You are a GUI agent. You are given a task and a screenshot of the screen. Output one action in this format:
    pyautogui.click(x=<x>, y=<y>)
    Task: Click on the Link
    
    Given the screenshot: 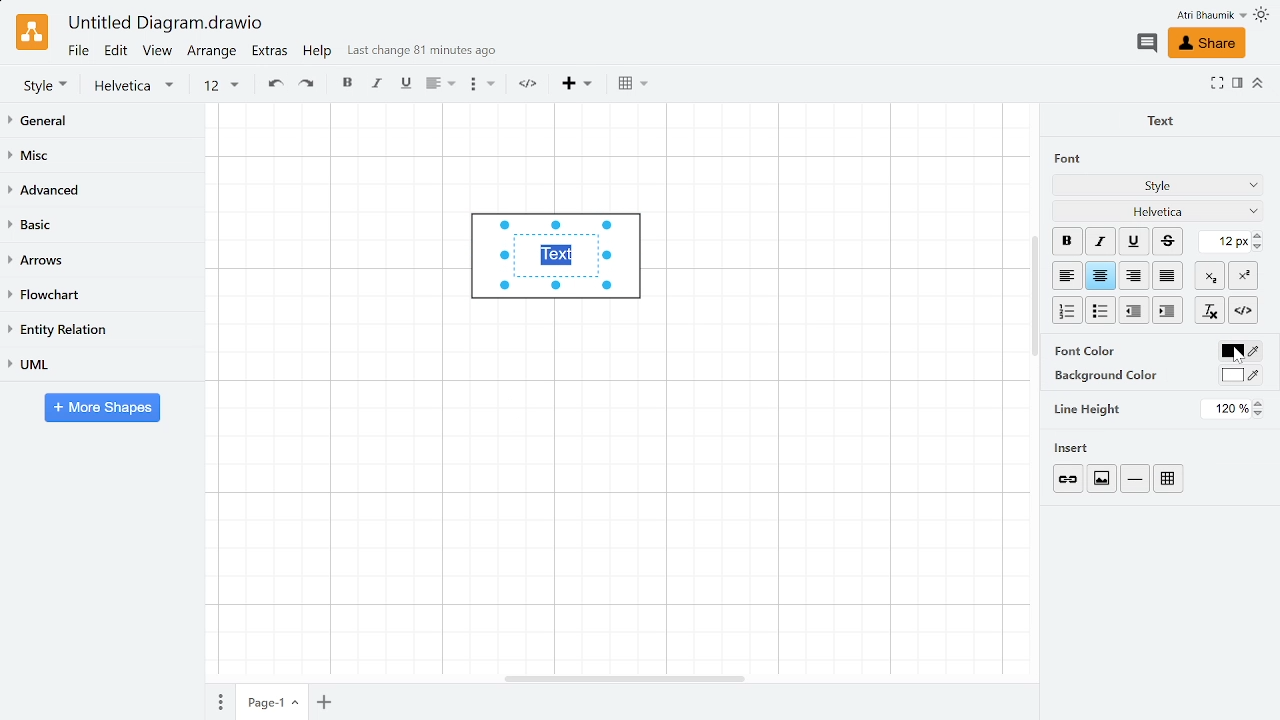 What is the action you would take?
    pyautogui.click(x=1070, y=479)
    